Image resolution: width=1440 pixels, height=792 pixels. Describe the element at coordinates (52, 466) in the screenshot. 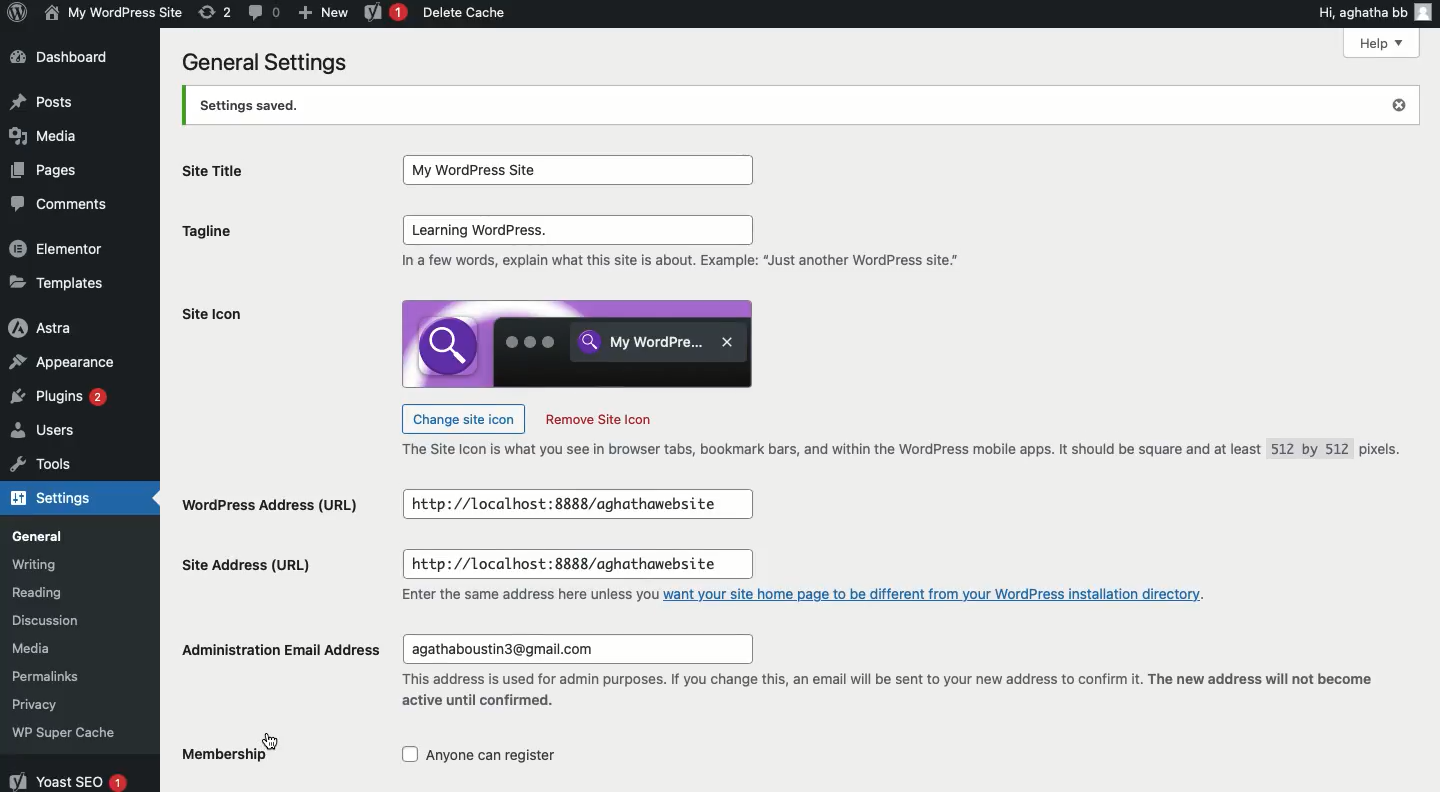

I see `Tools` at that location.